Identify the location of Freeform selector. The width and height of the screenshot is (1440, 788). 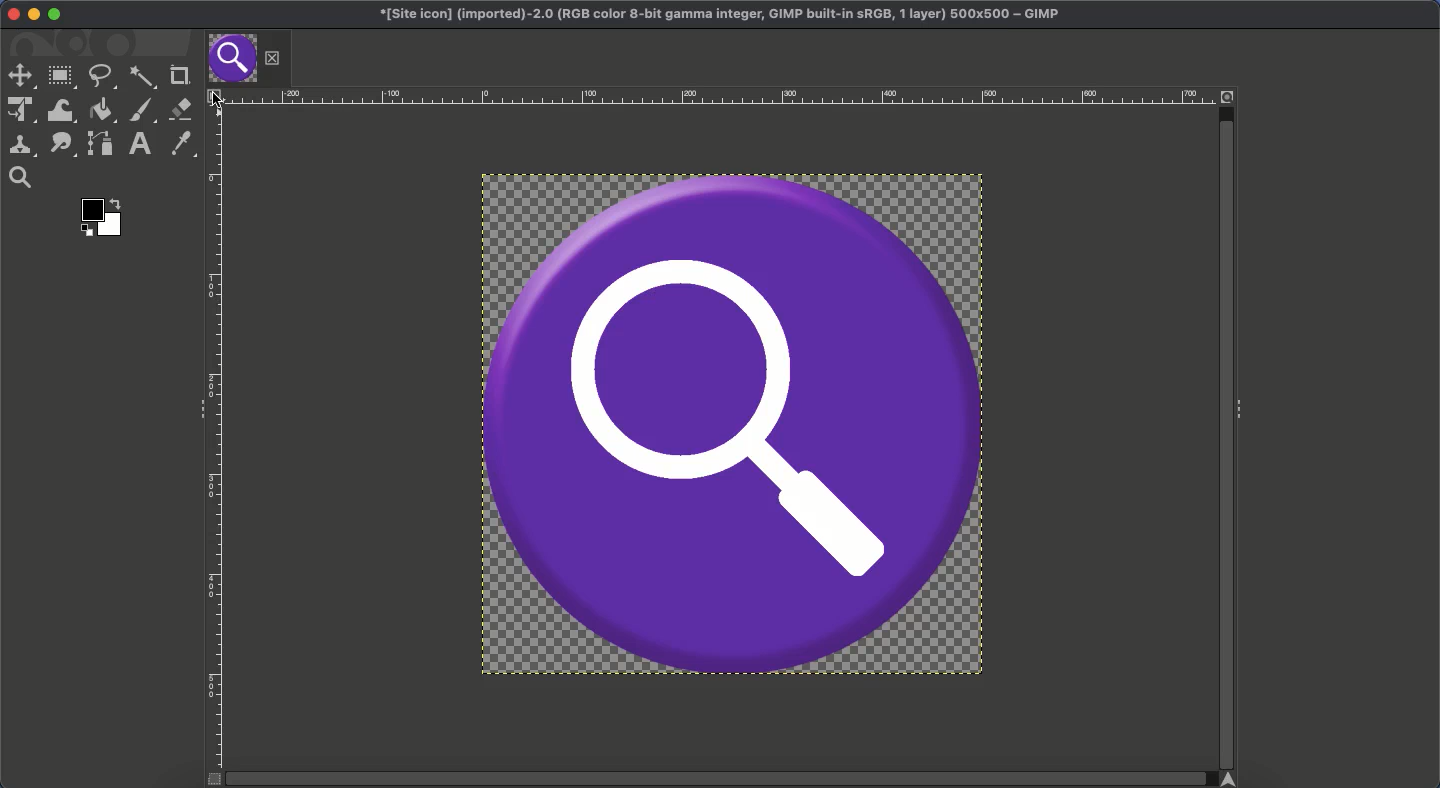
(102, 78).